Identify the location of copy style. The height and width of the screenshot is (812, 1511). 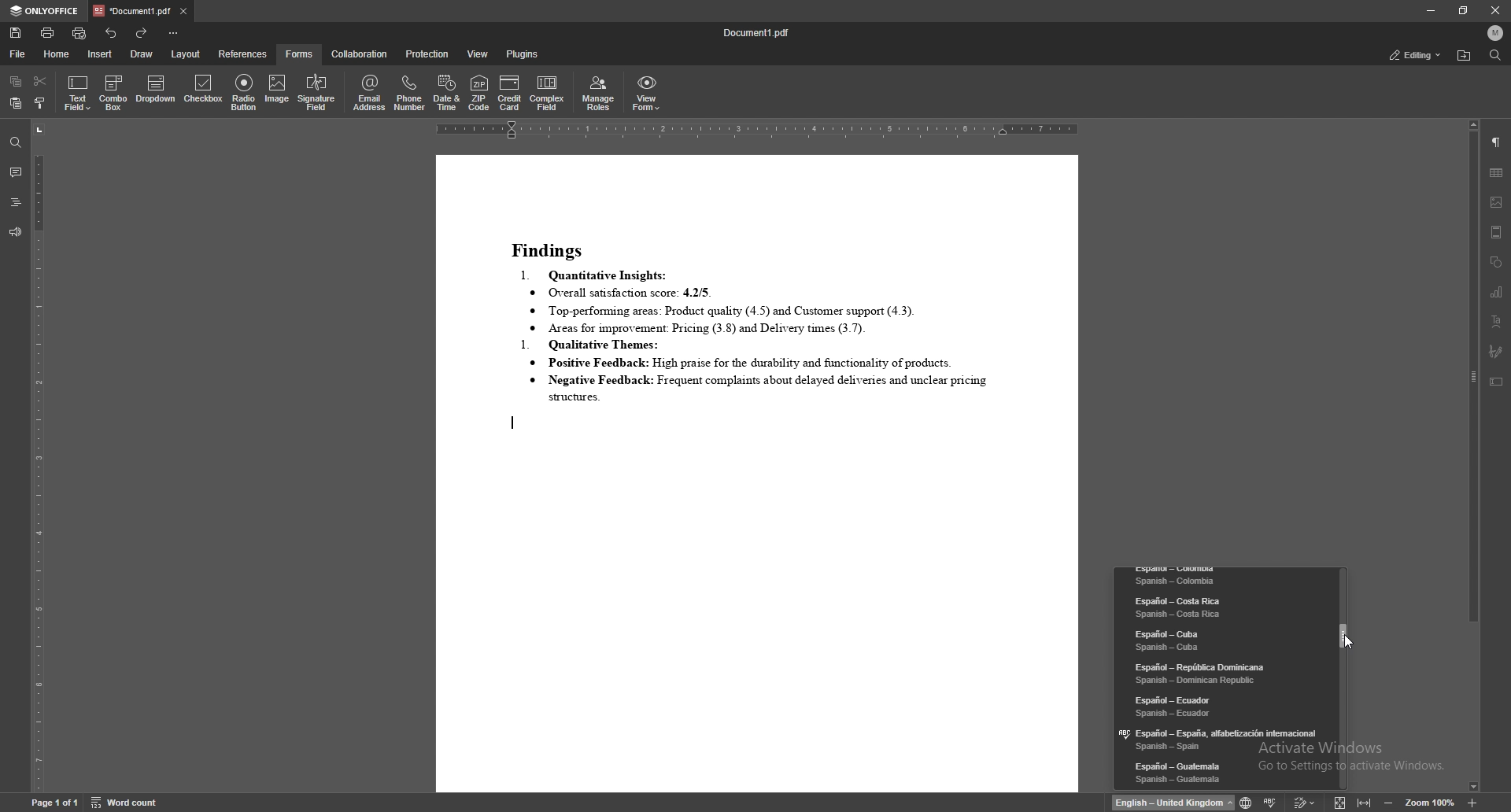
(39, 104).